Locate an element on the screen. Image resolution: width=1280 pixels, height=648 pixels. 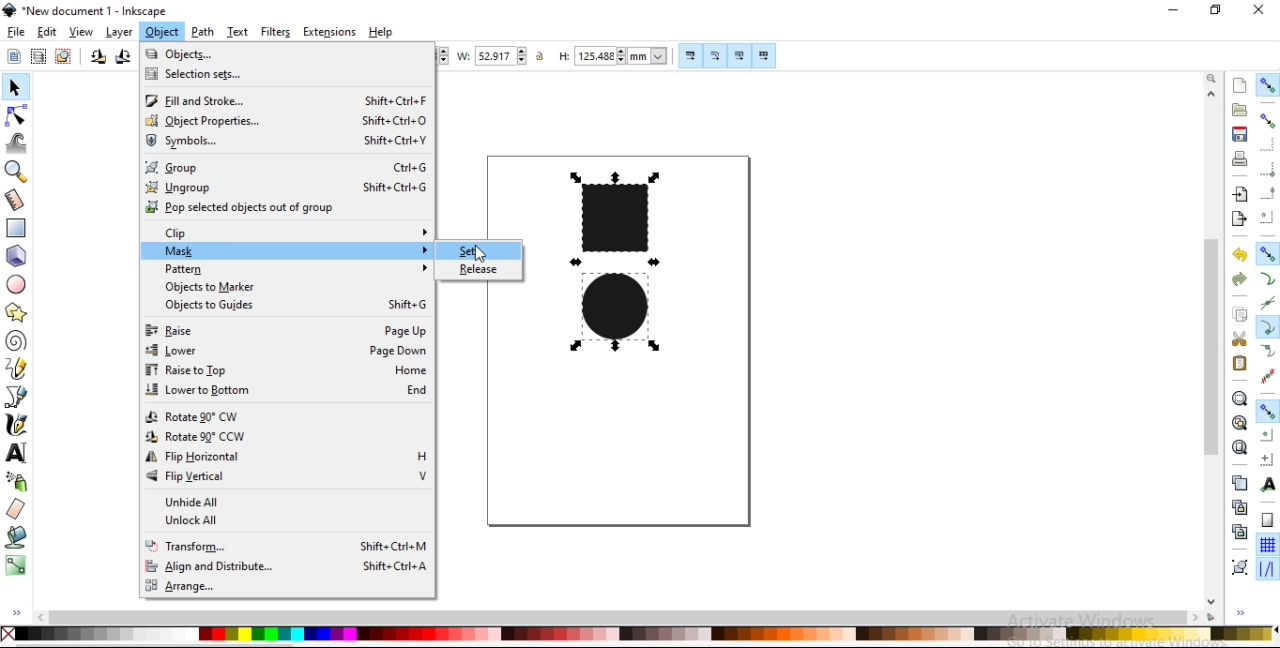
rotate 90 CCW is located at coordinates (284, 436).